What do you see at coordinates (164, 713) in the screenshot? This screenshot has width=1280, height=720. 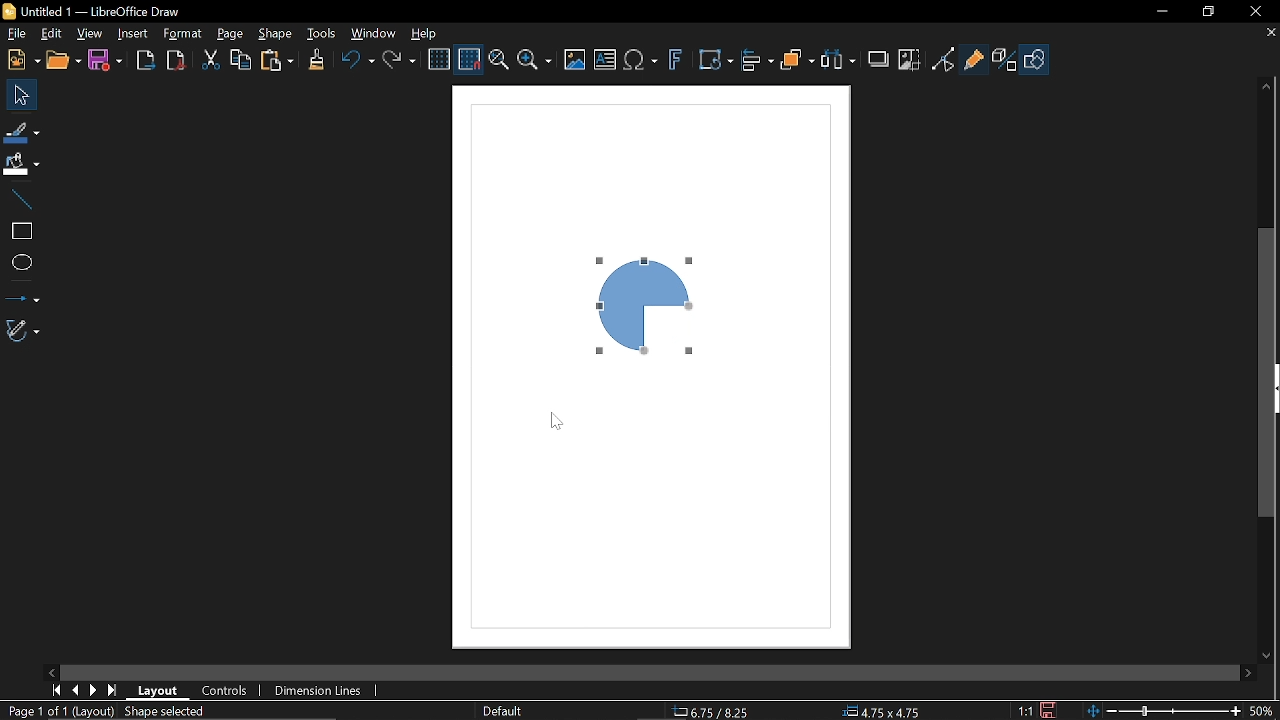 I see `shape selected` at bounding box center [164, 713].